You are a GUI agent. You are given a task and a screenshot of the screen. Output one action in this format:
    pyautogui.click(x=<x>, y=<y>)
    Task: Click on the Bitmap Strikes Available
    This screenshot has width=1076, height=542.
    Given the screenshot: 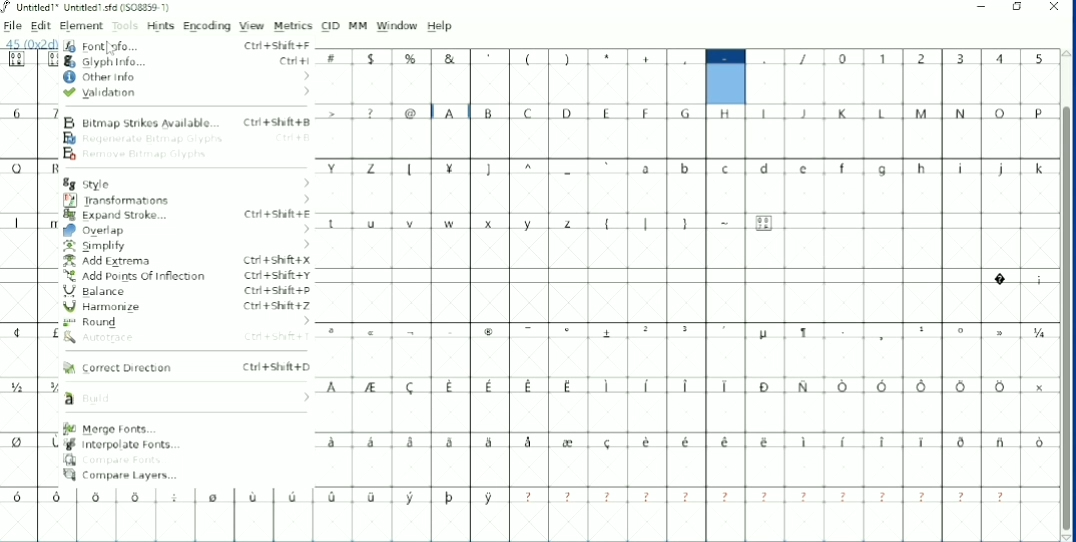 What is the action you would take?
    pyautogui.click(x=187, y=122)
    